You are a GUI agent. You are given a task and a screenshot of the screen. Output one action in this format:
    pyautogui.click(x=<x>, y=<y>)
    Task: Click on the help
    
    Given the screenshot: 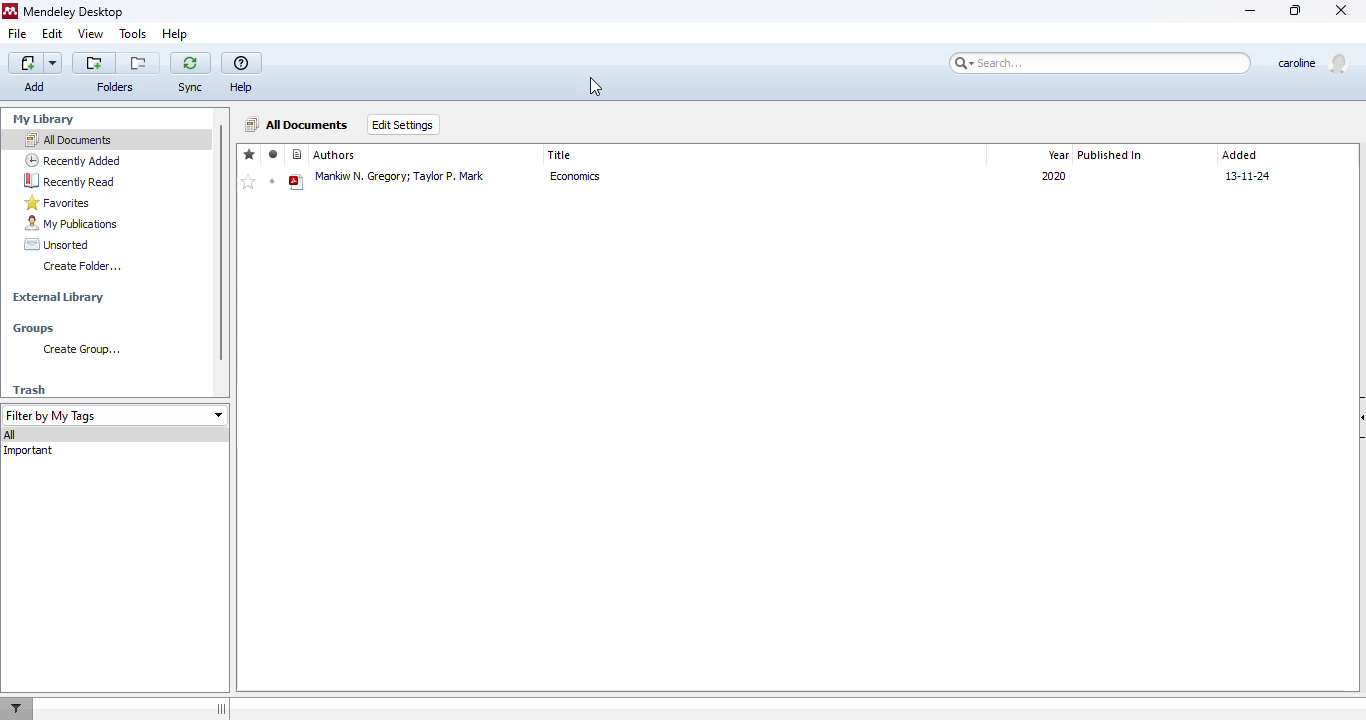 What is the action you would take?
    pyautogui.click(x=242, y=64)
    